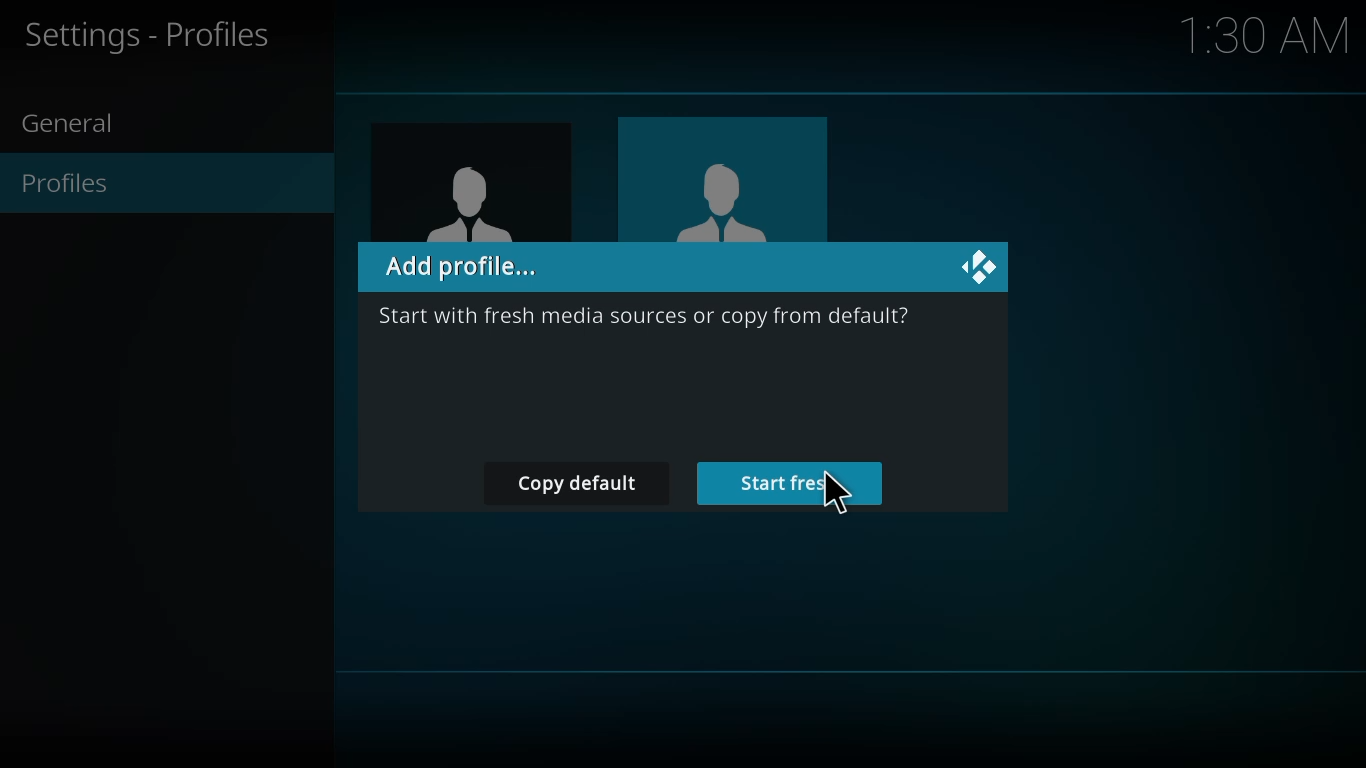 This screenshot has height=768, width=1366. Describe the element at coordinates (840, 494) in the screenshot. I see `cursor` at that location.